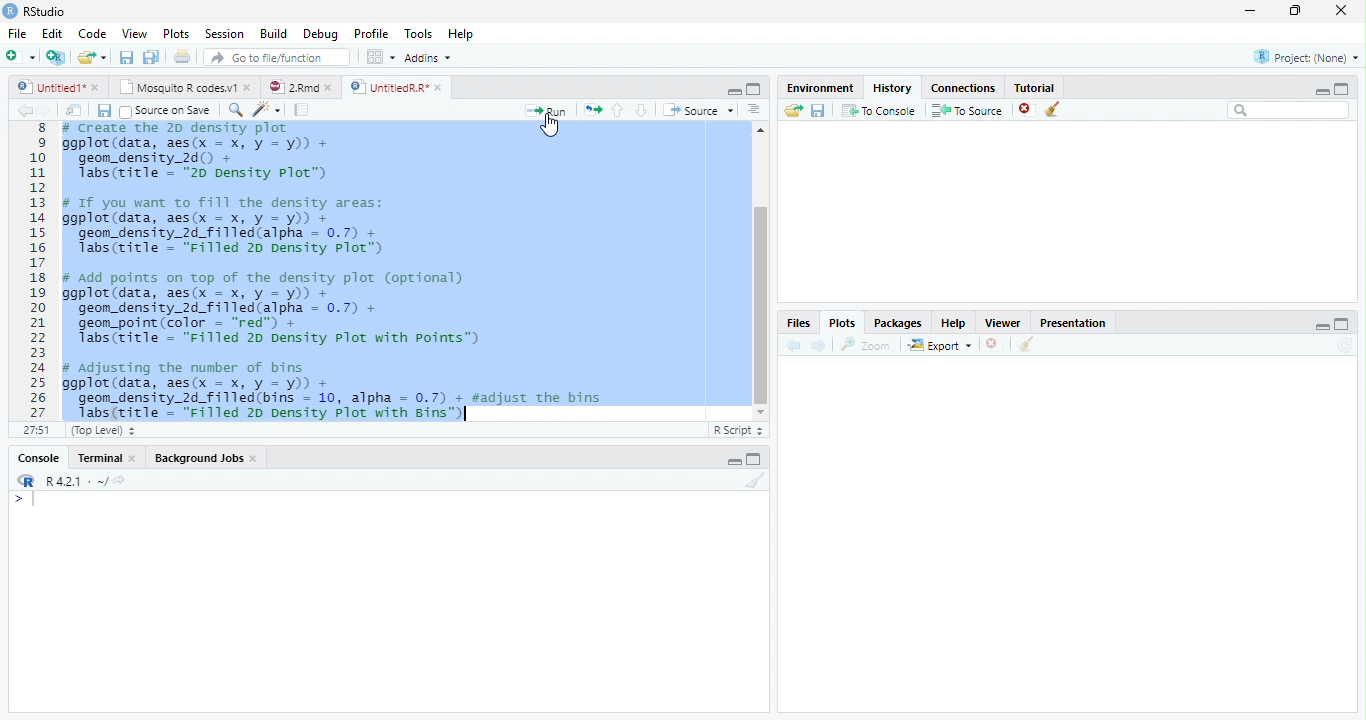 The width and height of the screenshot is (1366, 720). I want to click on minimize, so click(1323, 326).